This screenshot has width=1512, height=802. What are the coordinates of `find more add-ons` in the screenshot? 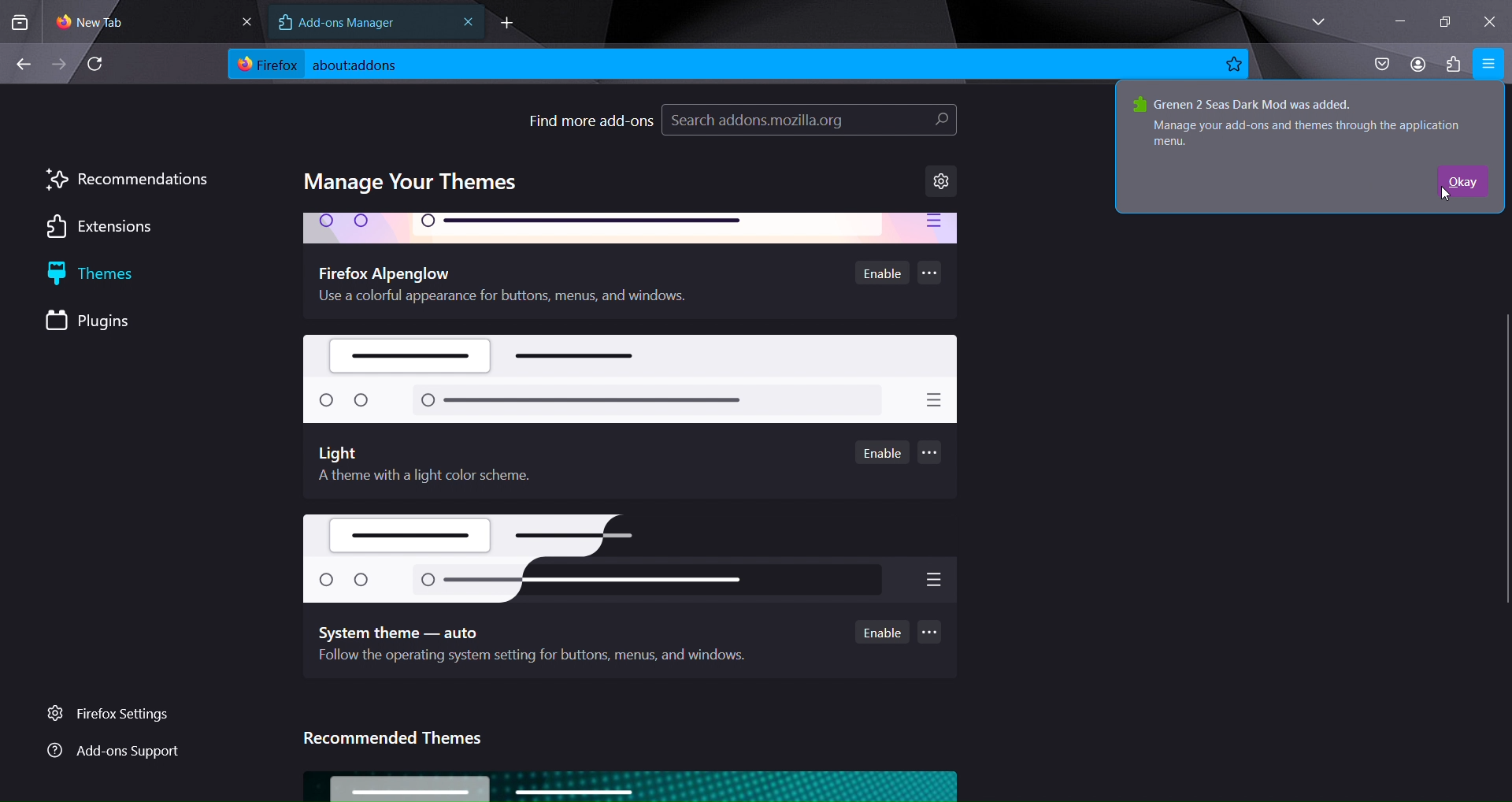 It's located at (591, 119).